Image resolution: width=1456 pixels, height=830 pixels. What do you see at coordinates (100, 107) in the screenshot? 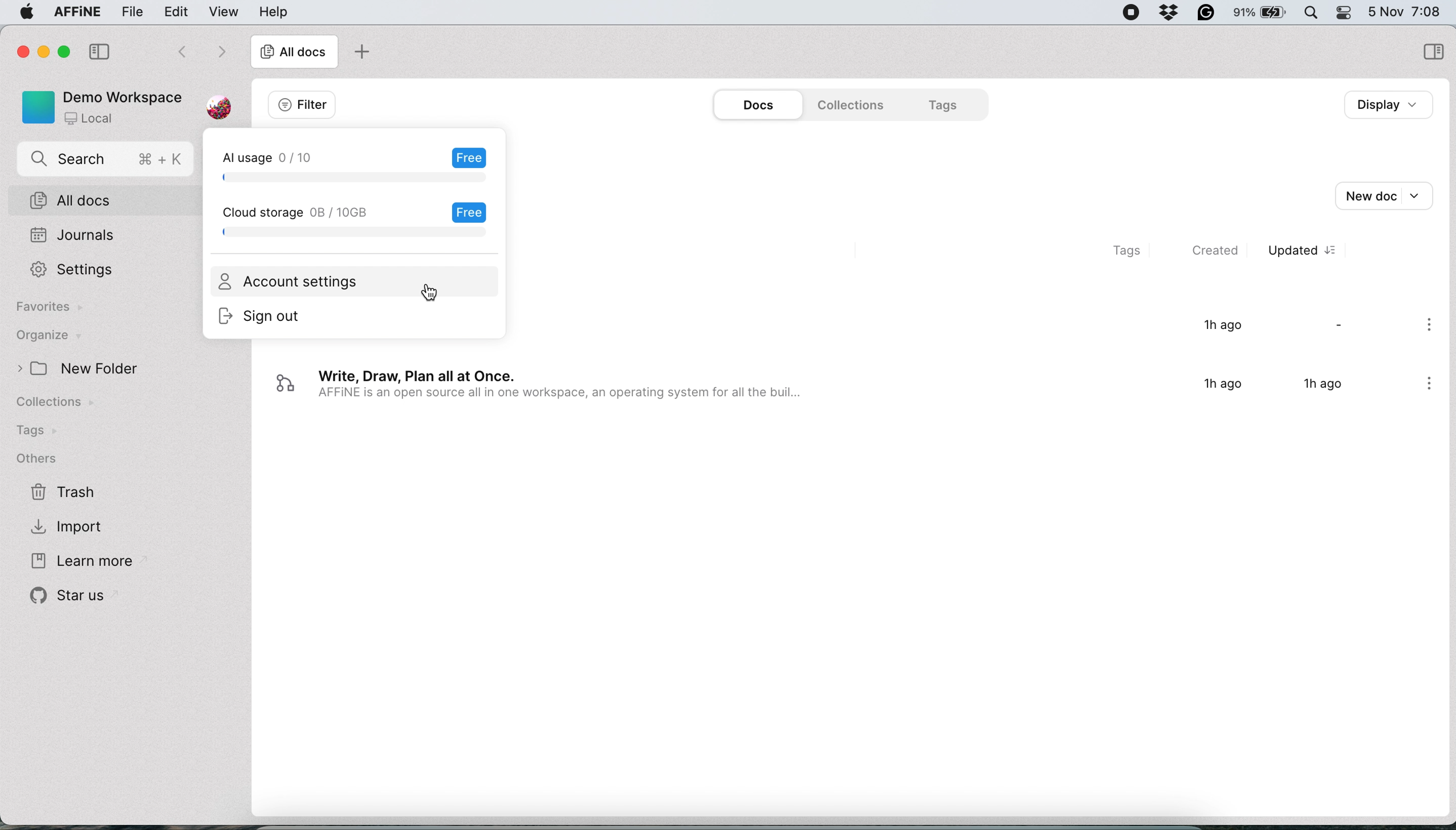
I see `workspace` at bounding box center [100, 107].